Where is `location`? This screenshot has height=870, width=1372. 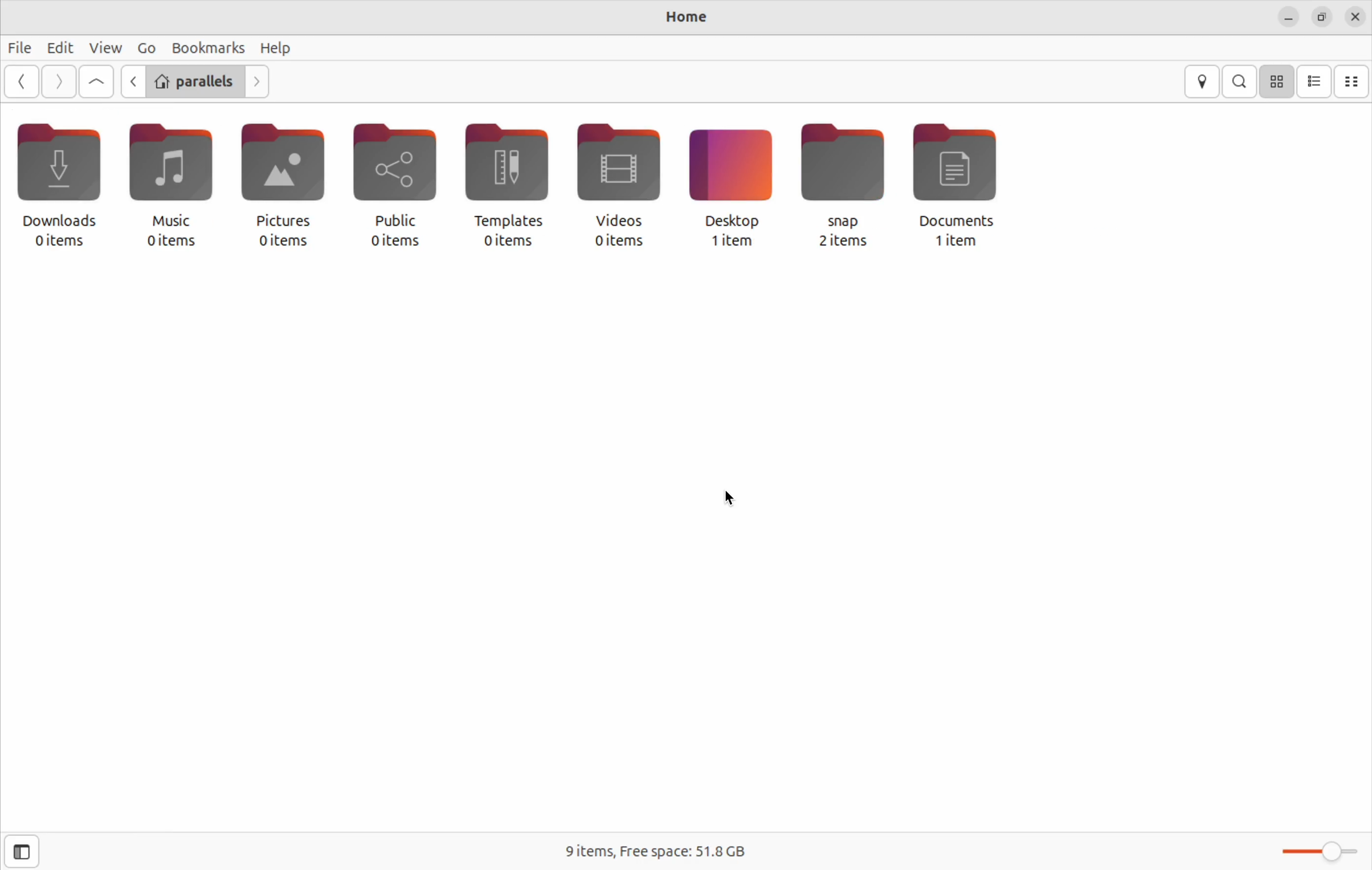 location is located at coordinates (1204, 83).